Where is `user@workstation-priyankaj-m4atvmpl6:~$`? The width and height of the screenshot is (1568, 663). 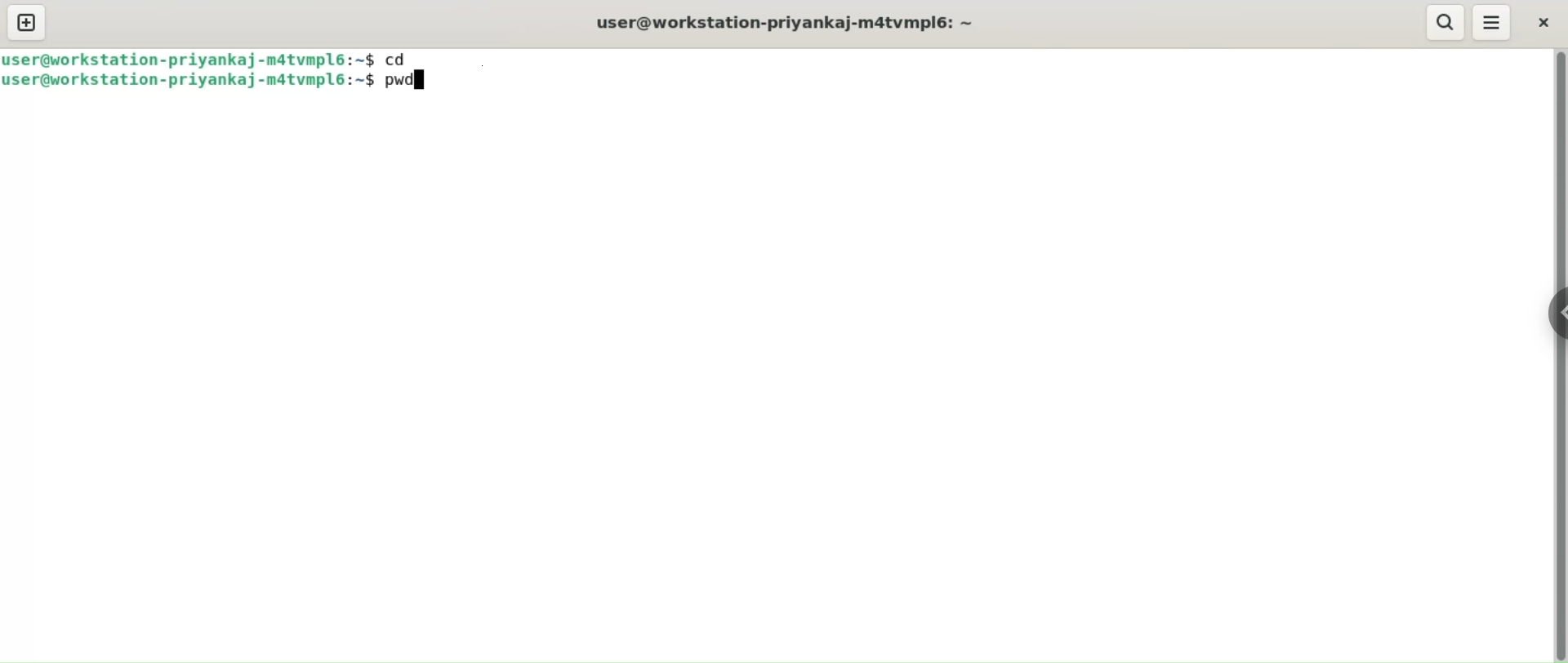
user@workstation-priyankaj-m4atvmpl6:~$ is located at coordinates (189, 82).